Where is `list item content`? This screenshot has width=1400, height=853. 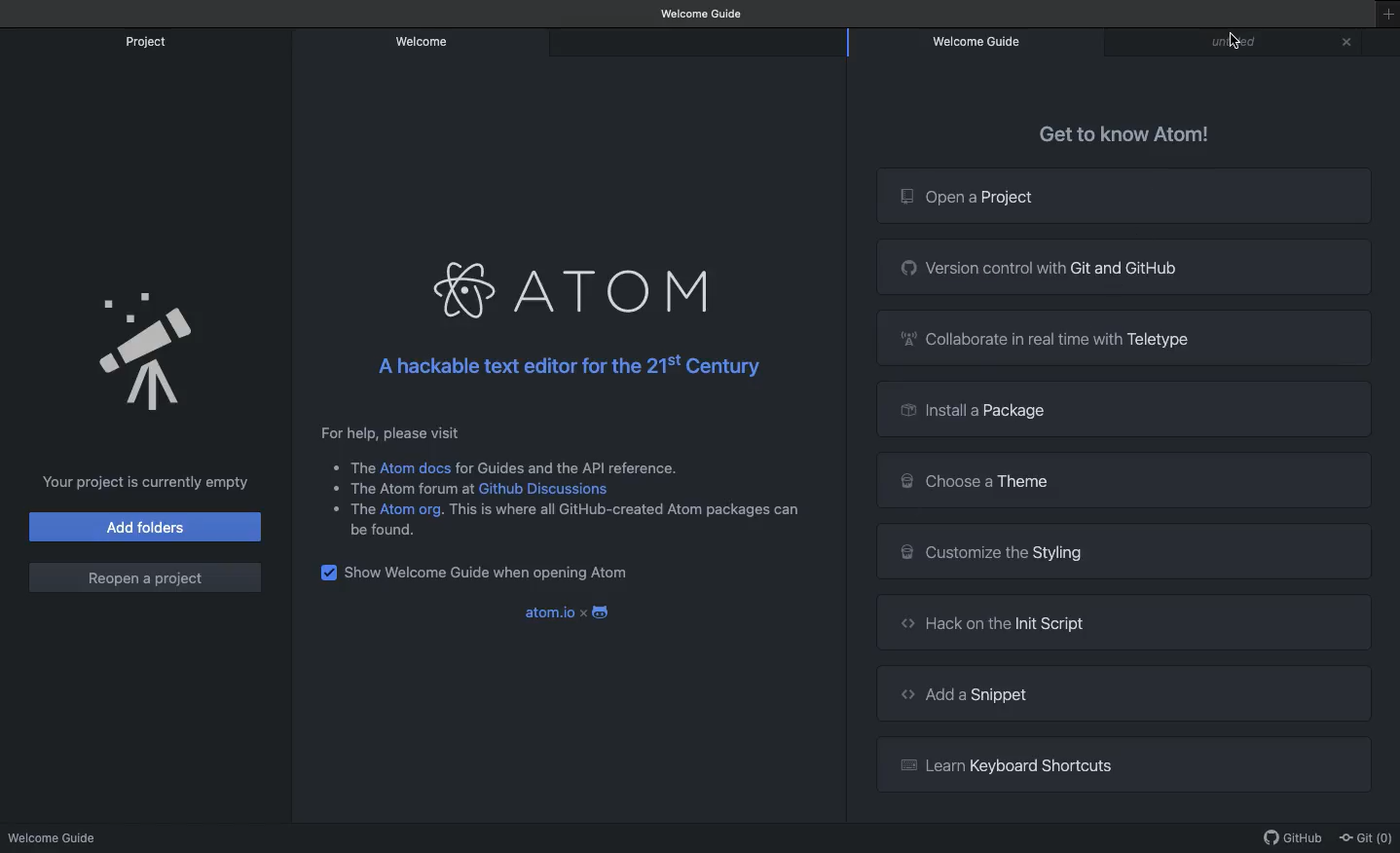 list item content is located at coordinates (625, 511).